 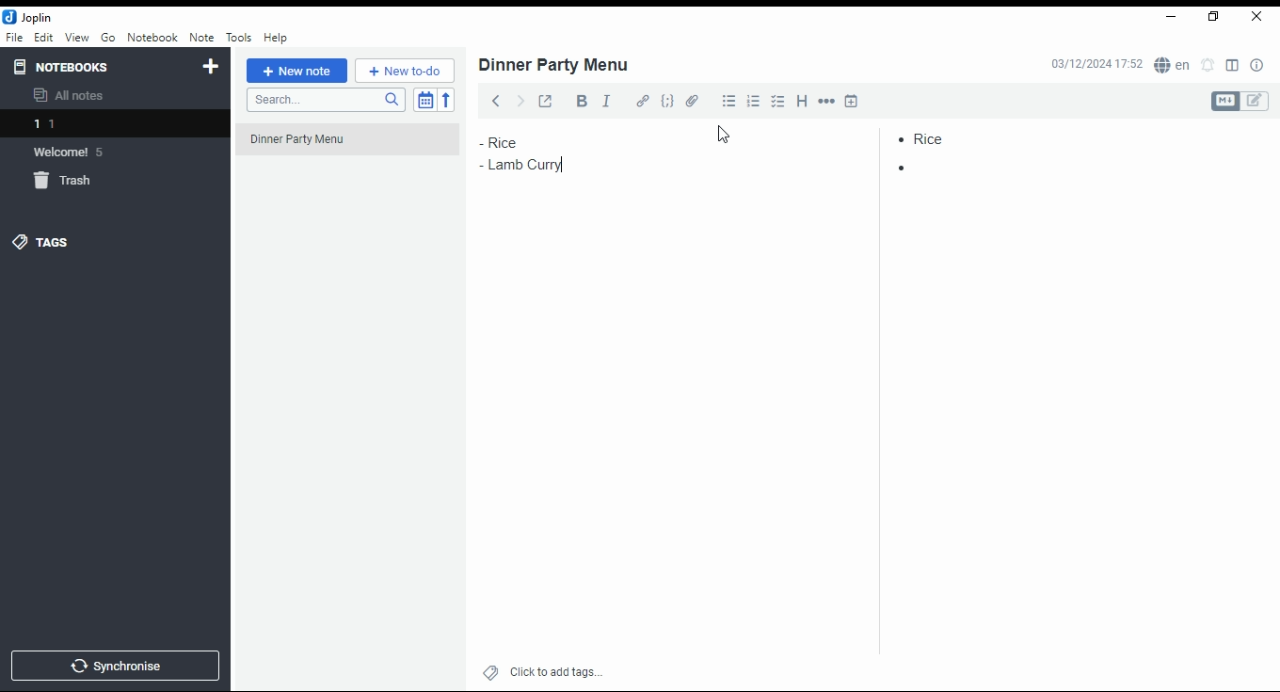 I want to click on bullet list, so click(x=731, y=101).